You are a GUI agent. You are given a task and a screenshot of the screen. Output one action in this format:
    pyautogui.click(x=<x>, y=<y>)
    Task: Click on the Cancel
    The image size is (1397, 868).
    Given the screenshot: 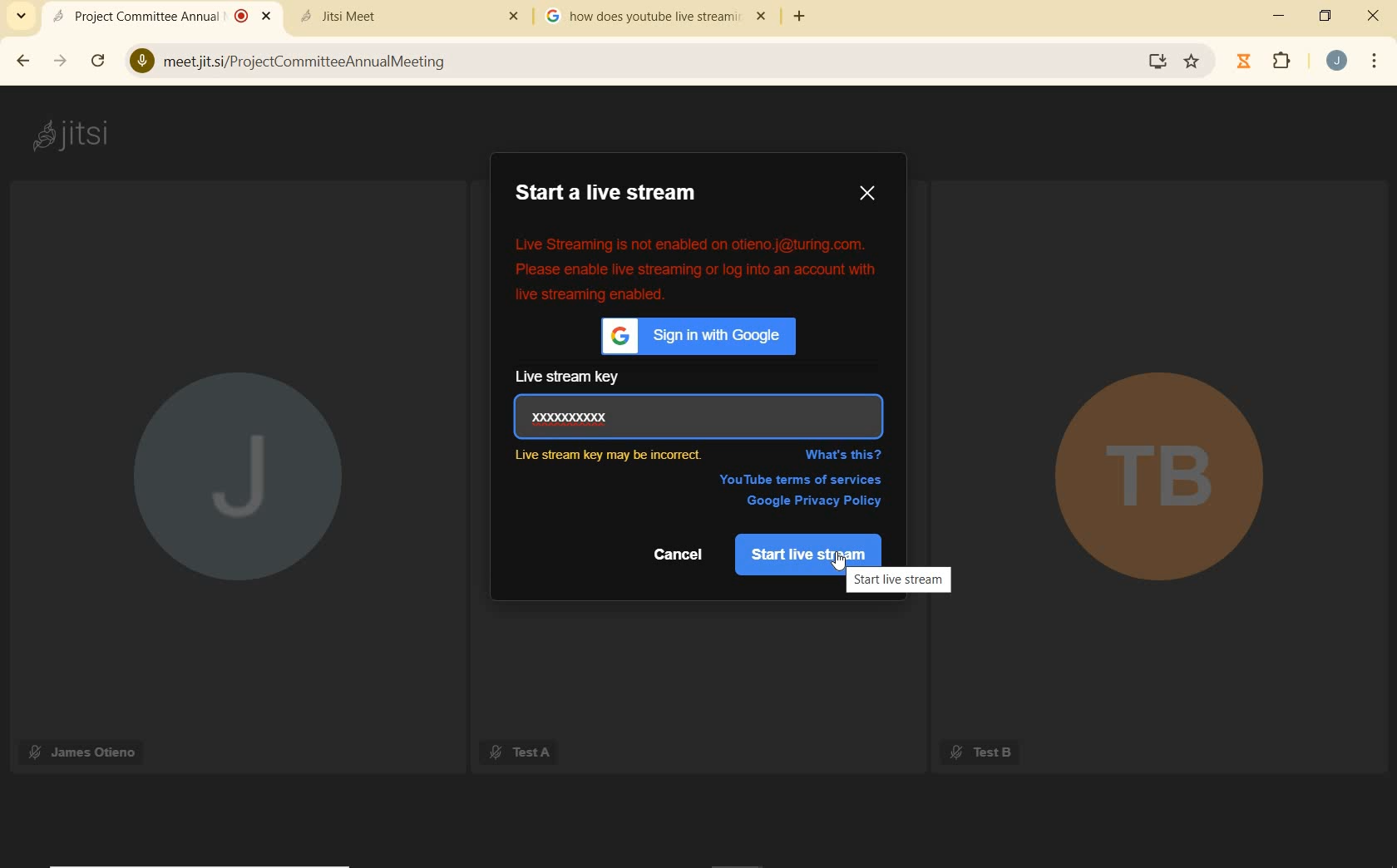 What is the action you would take?
    pyautogui.click(x=681, y=554)
    